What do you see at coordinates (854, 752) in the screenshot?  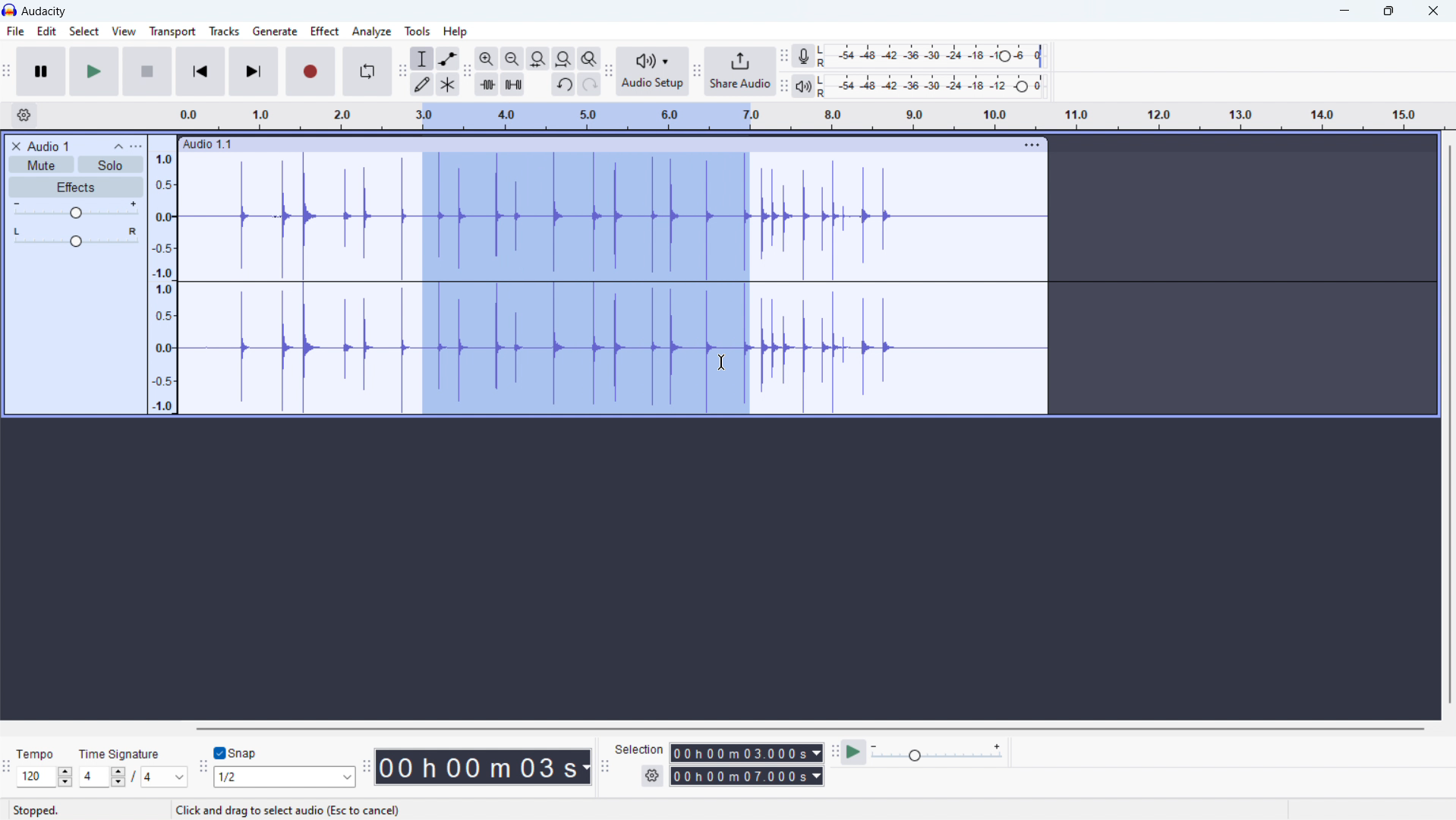 I see `play at speed` at bounding box center [854, 752].